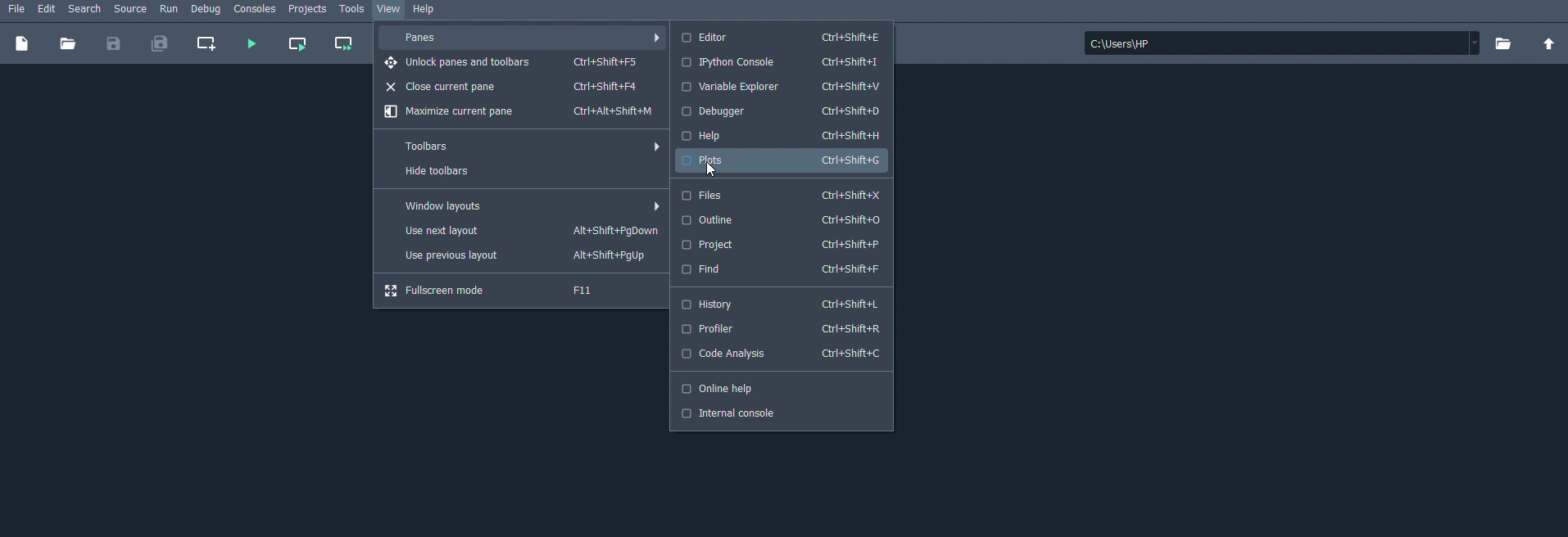 The image size is (1568, 537). Describe the element at coordinates (523, 38) in the screenshot. I see `Panes` at that location.